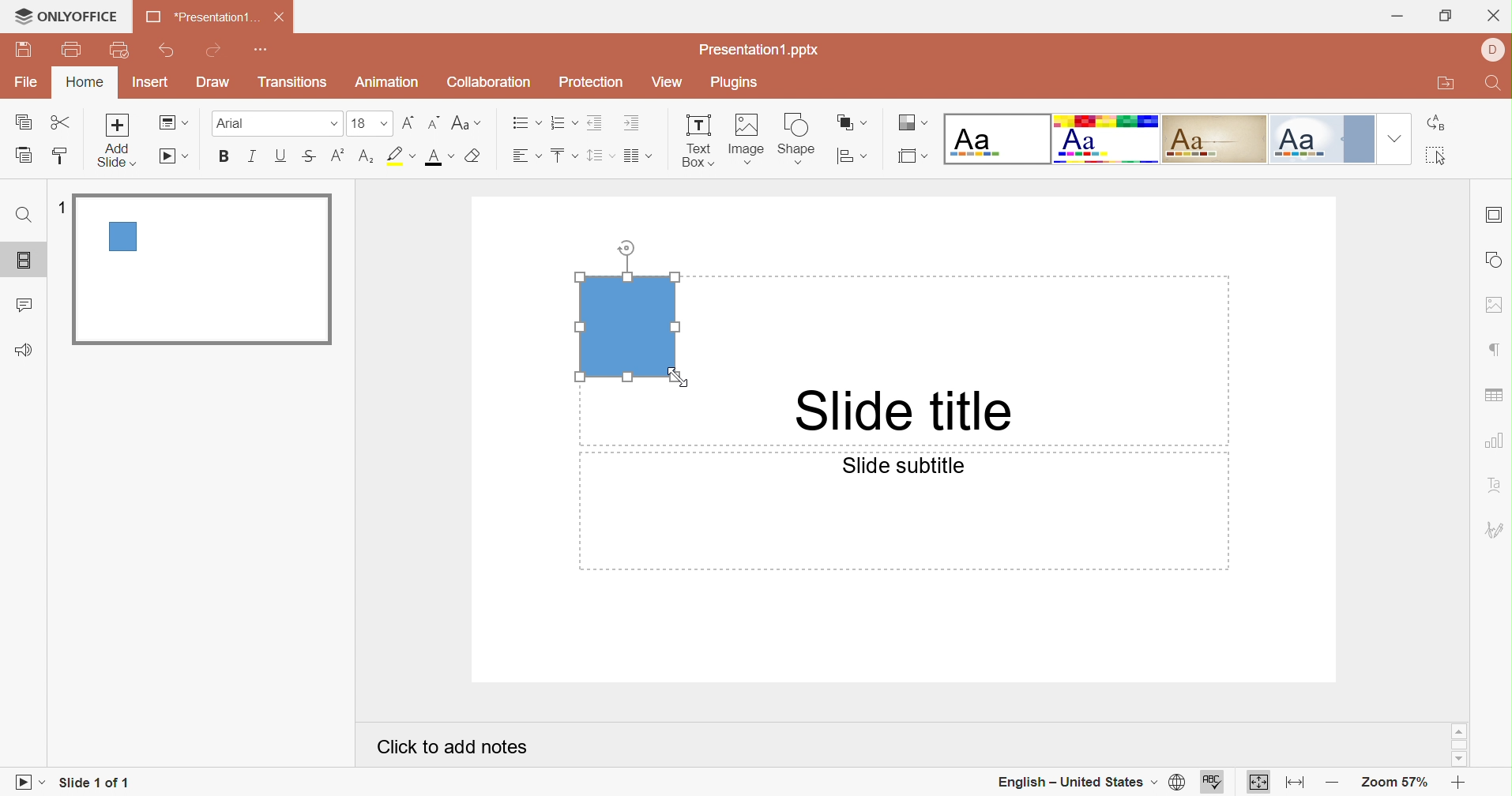  What do you see at coordinates (250, 157) in the screenshot?
I see `Italic` at bounding box center [250, 157].